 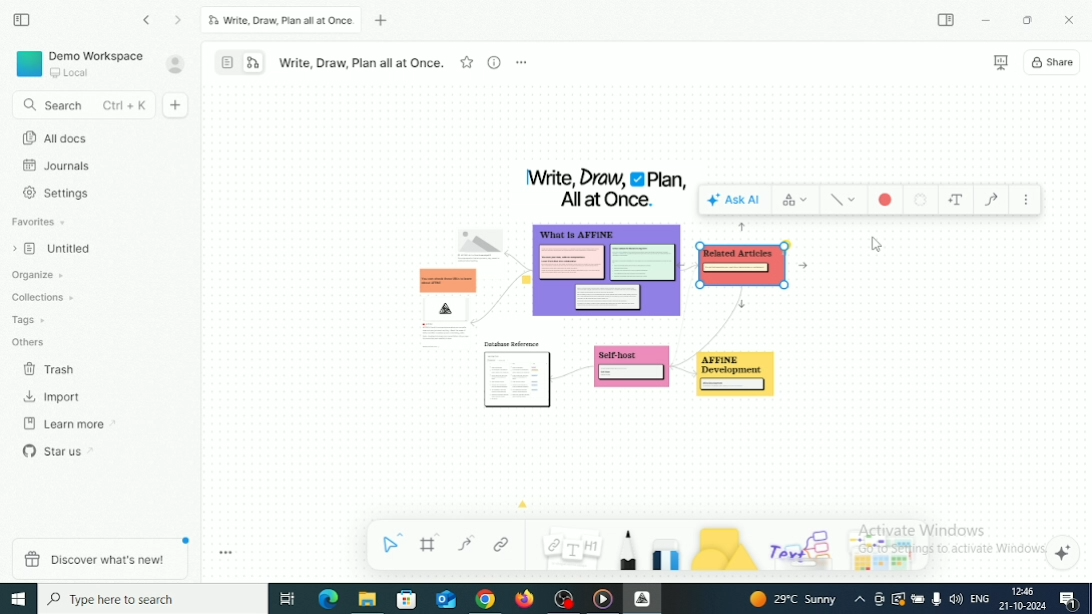 I want to click on Date, so click(x=1021, y=606).